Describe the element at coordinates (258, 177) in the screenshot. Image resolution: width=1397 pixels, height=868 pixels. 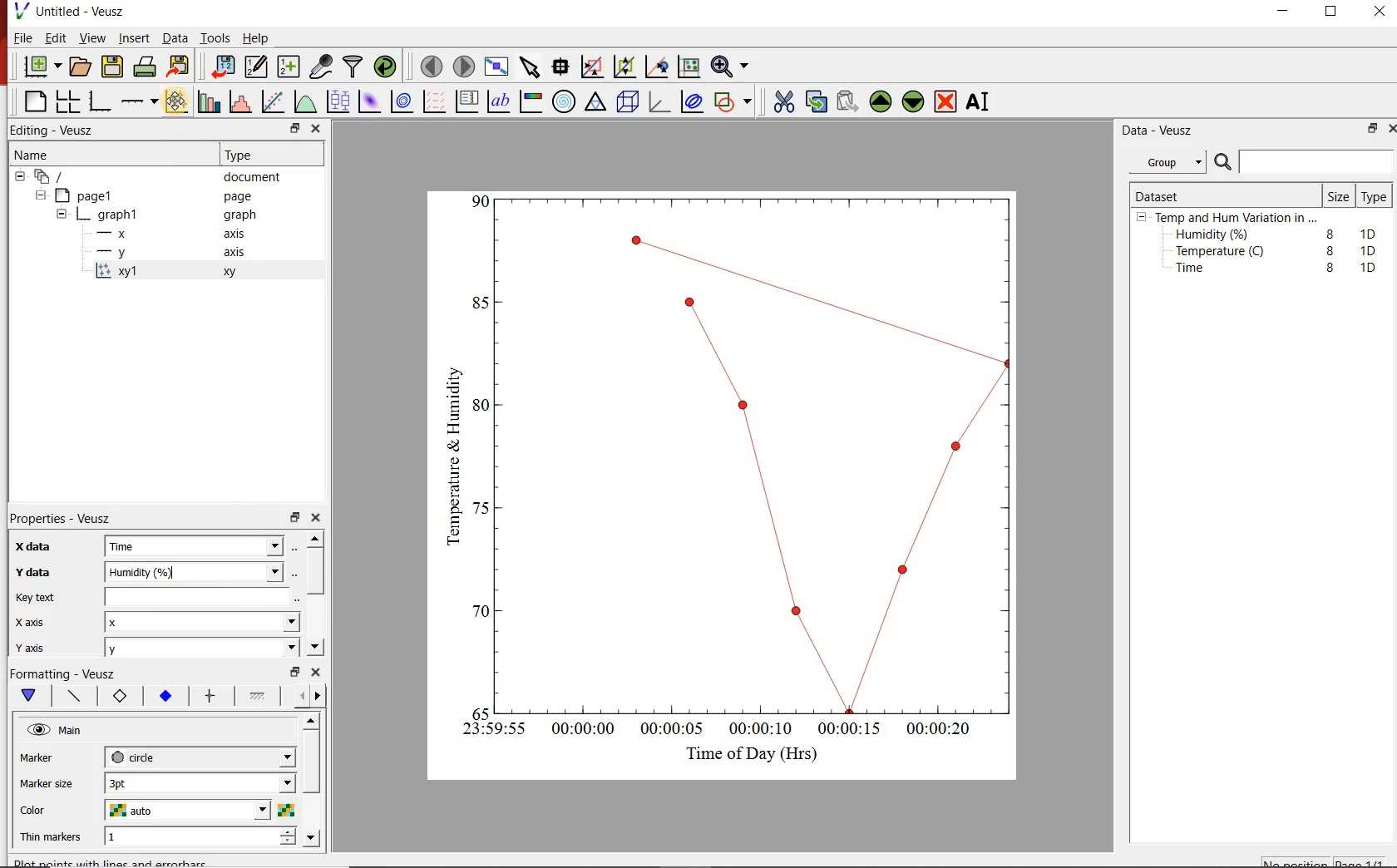
I see `document` at that location.